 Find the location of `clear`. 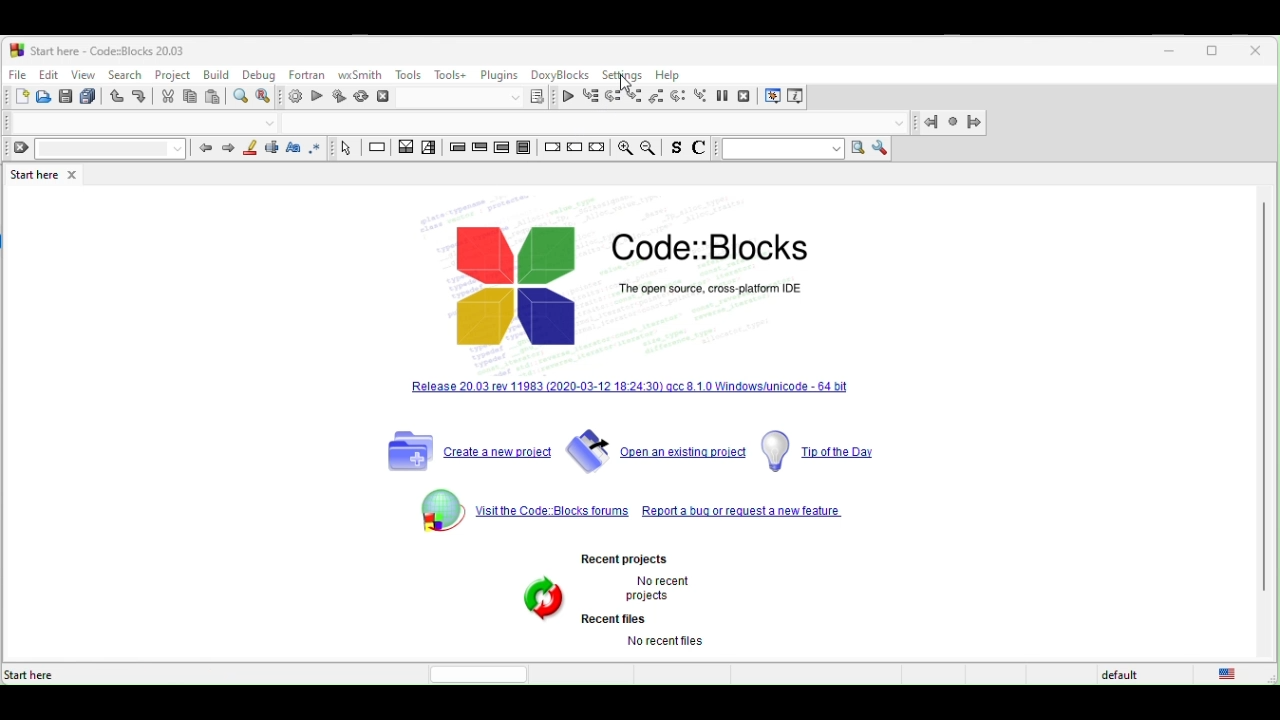

clear is located at coordinates (96, 149).